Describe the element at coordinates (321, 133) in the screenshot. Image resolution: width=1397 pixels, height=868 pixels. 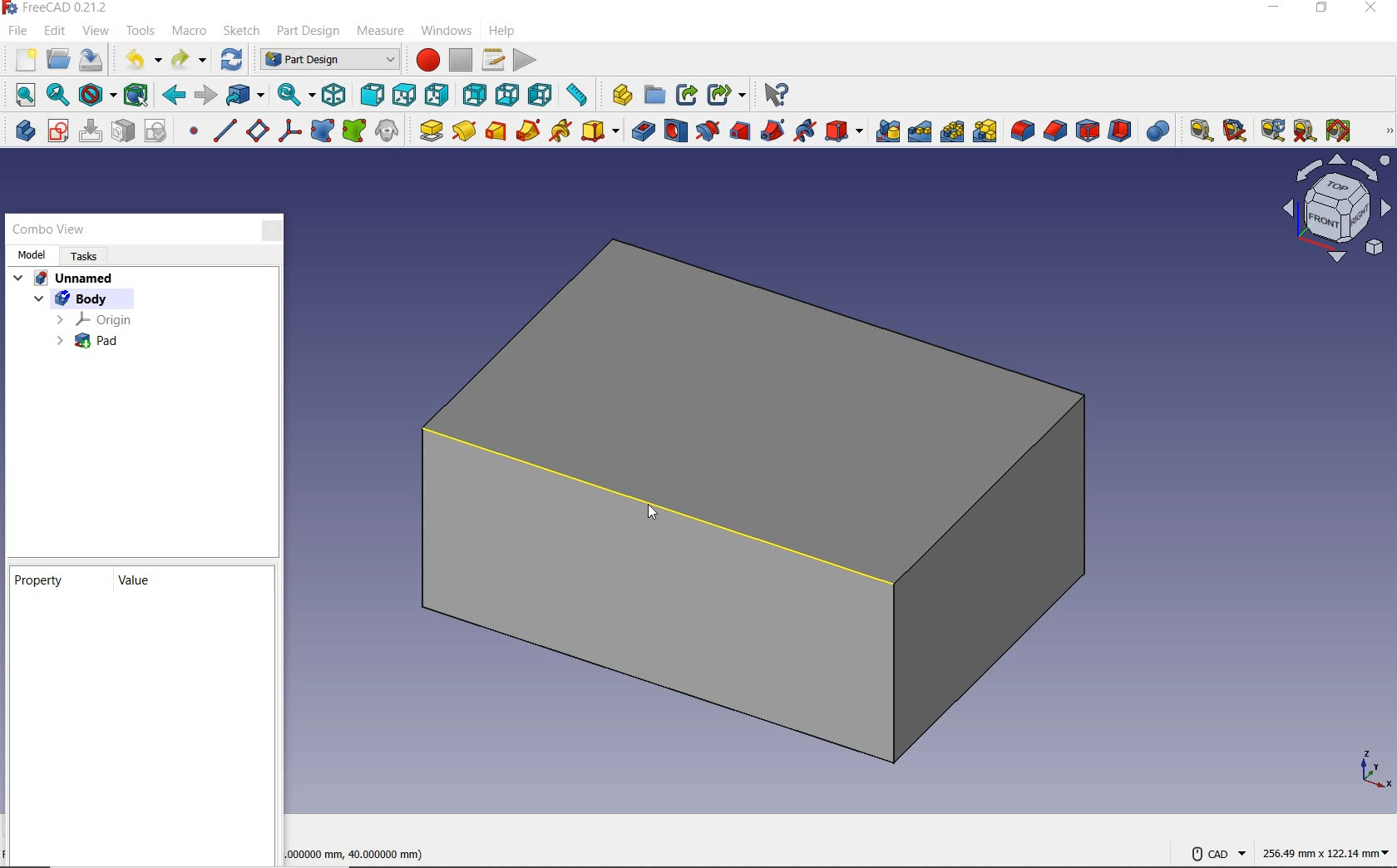
I see `create a shape binder` at that location.